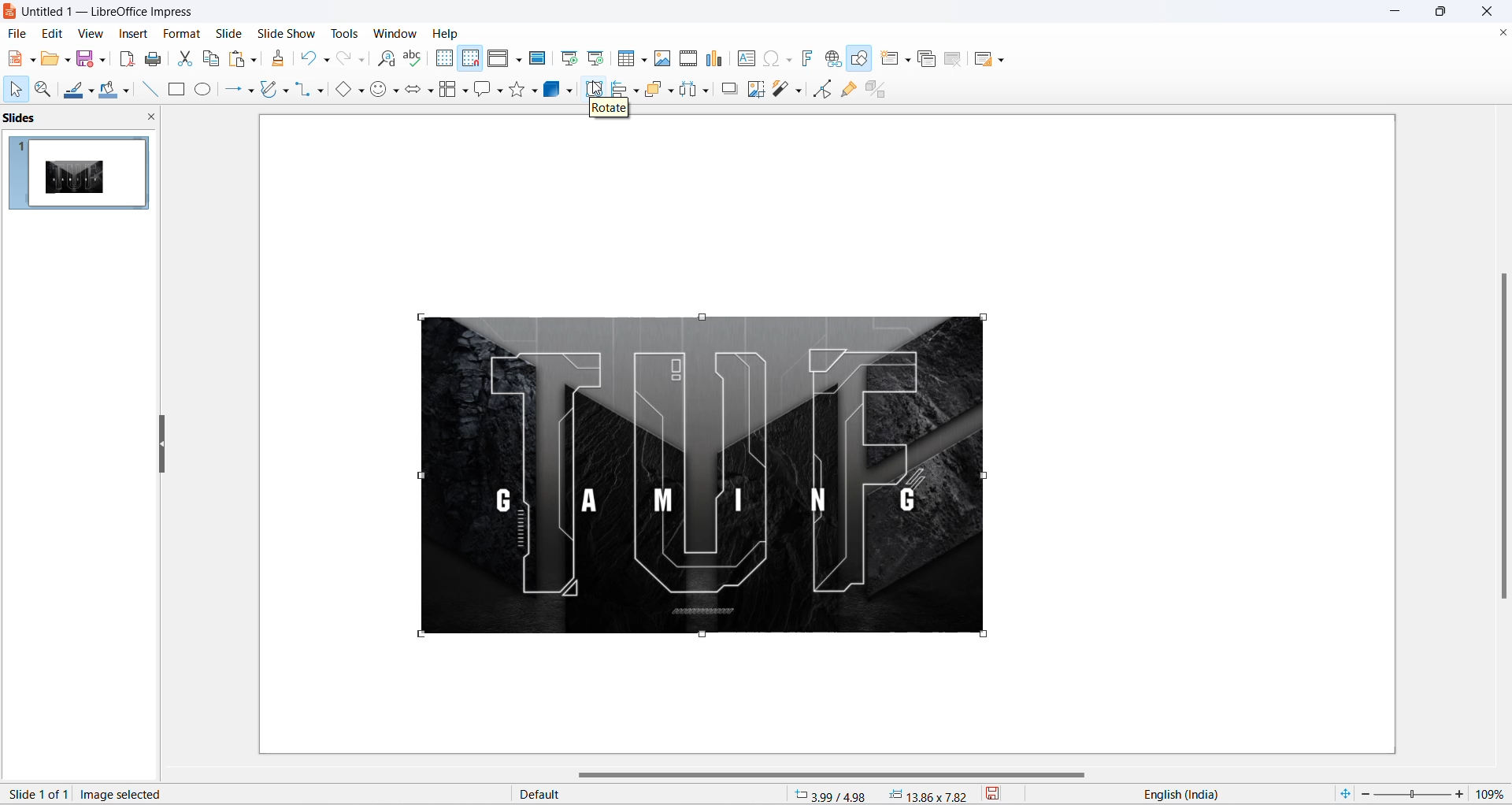 This screenshot has height=805, width=1512. What do you see at coordinates (380, 92) in the screenshot?
I see `symbol shapes` at bounding box center [380, 92].